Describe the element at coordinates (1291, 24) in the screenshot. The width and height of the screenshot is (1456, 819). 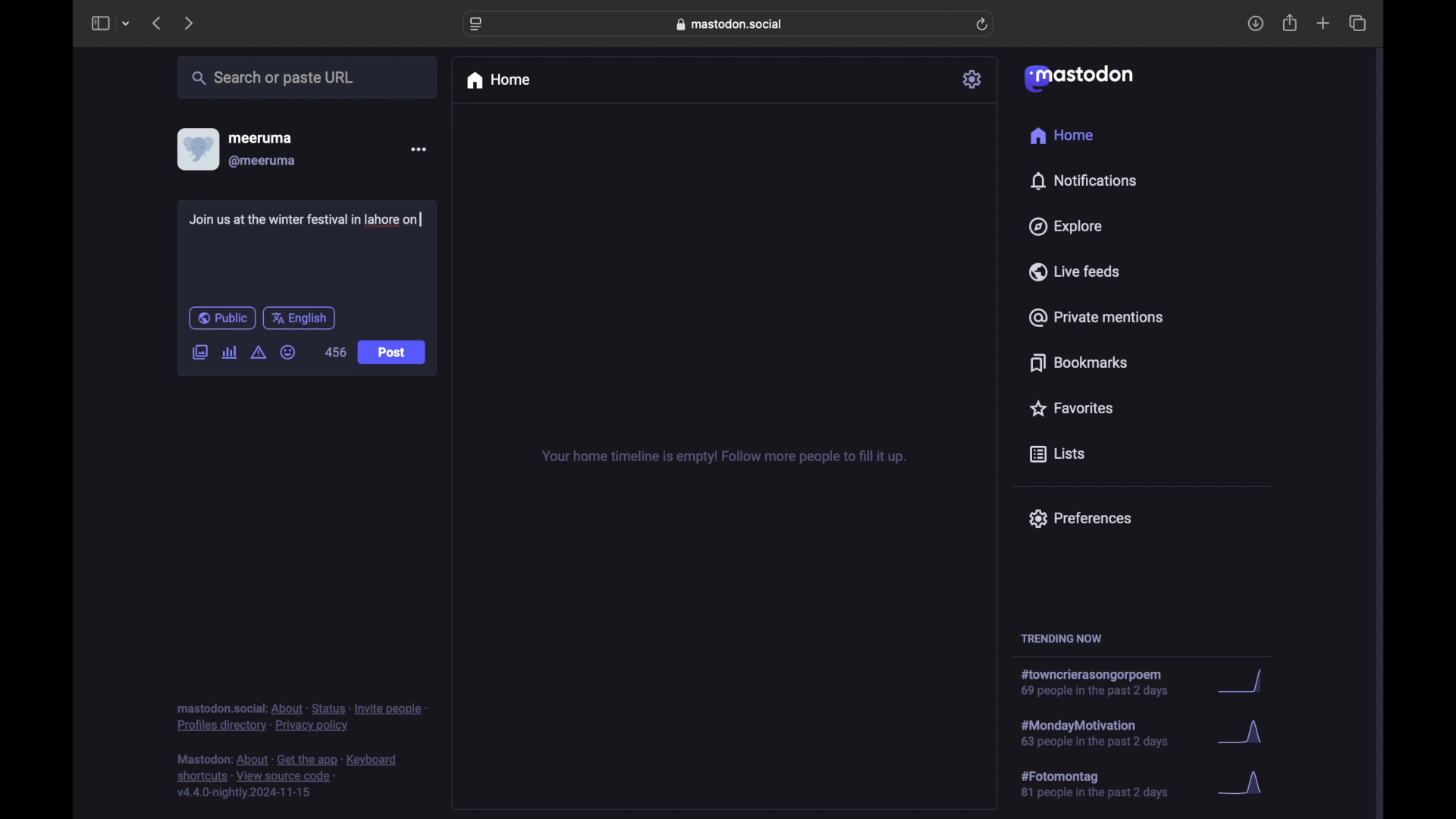
I see `share` at that location.